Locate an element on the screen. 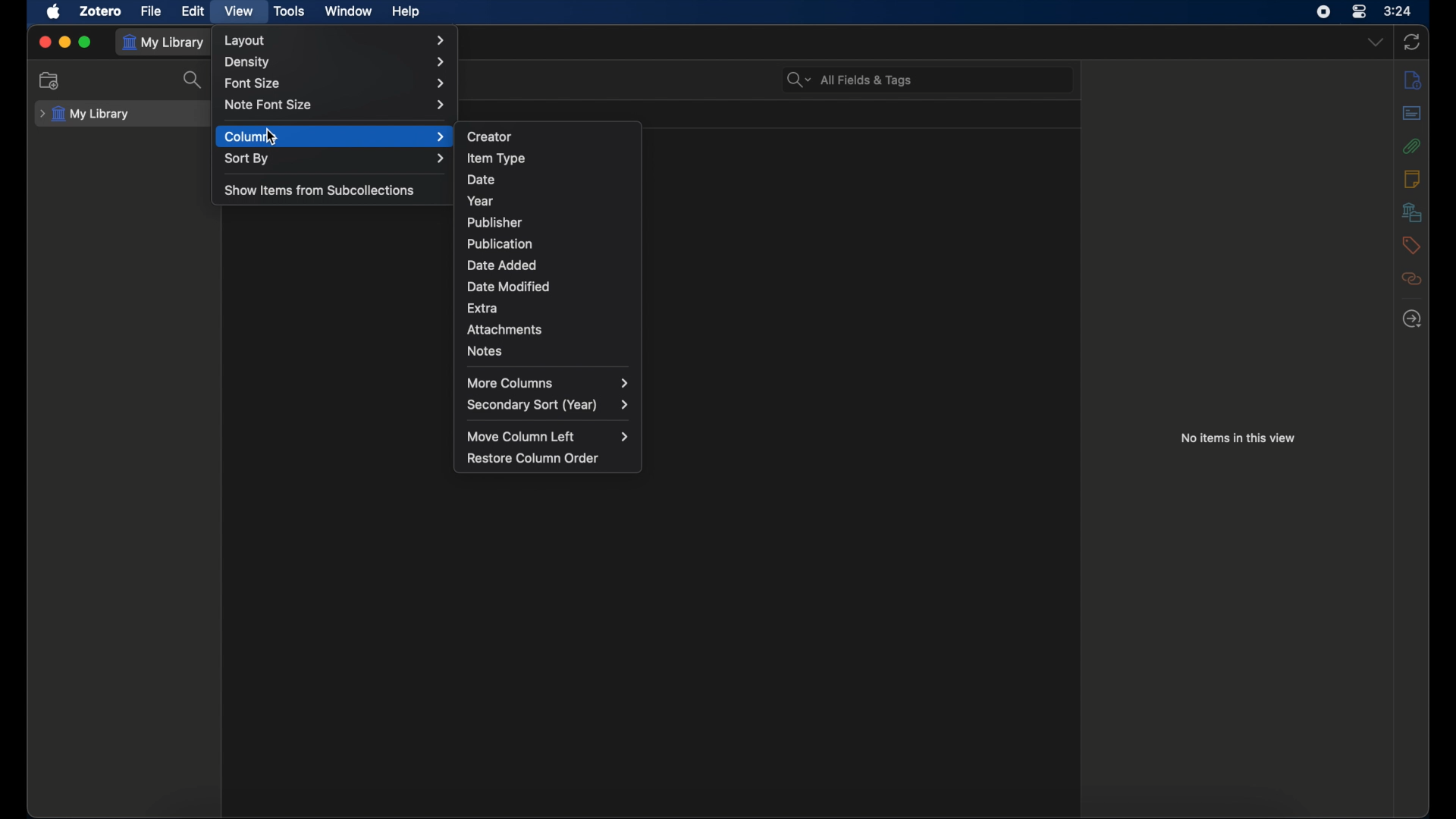  libraries is located at coordinates (1411, 212).